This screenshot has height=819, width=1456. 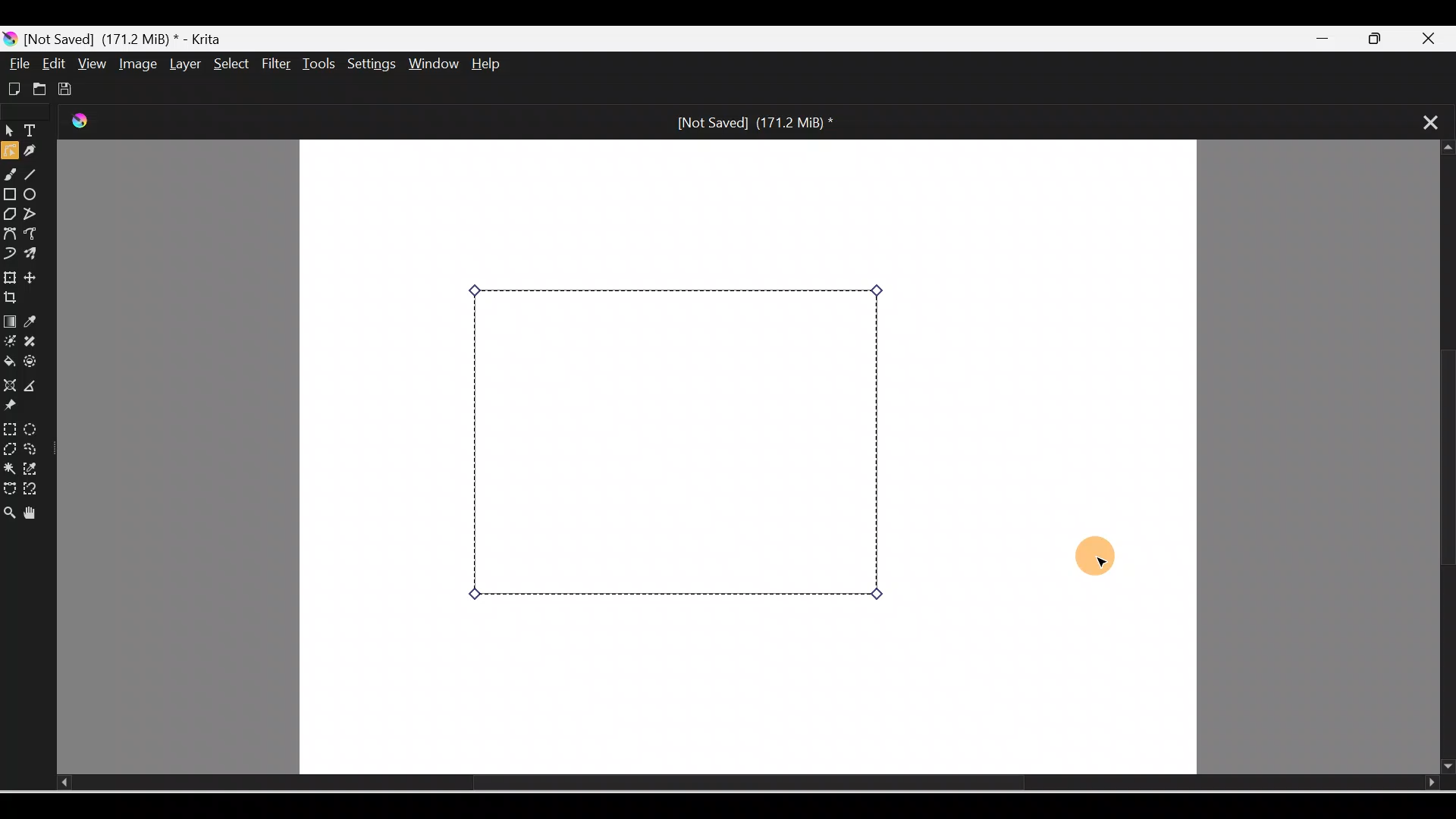 What do you see at coordinates (12, 87) in the screenshot?
I see `Create new document` at bounding box center [12, 87].